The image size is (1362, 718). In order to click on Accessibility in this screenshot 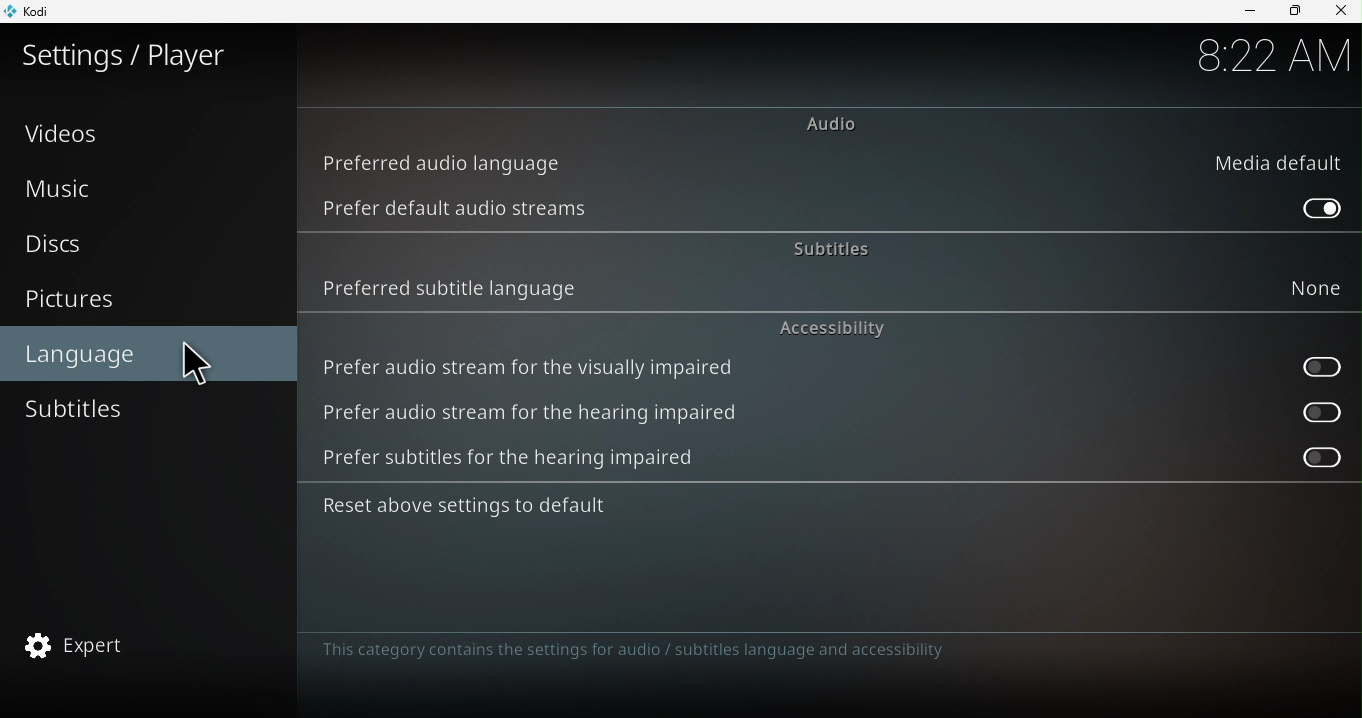, I will do `click(834, 327)`.